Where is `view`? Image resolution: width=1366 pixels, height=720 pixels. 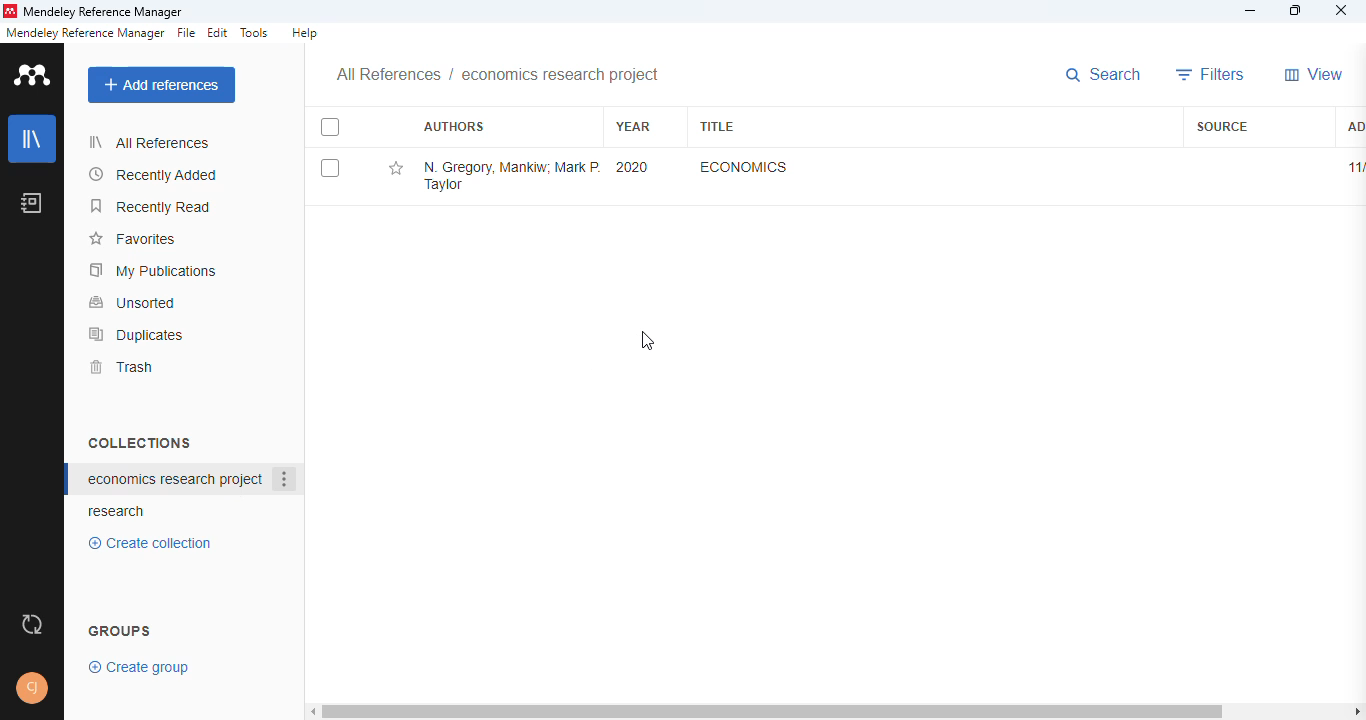 view is located at coordinates (1314, 74).